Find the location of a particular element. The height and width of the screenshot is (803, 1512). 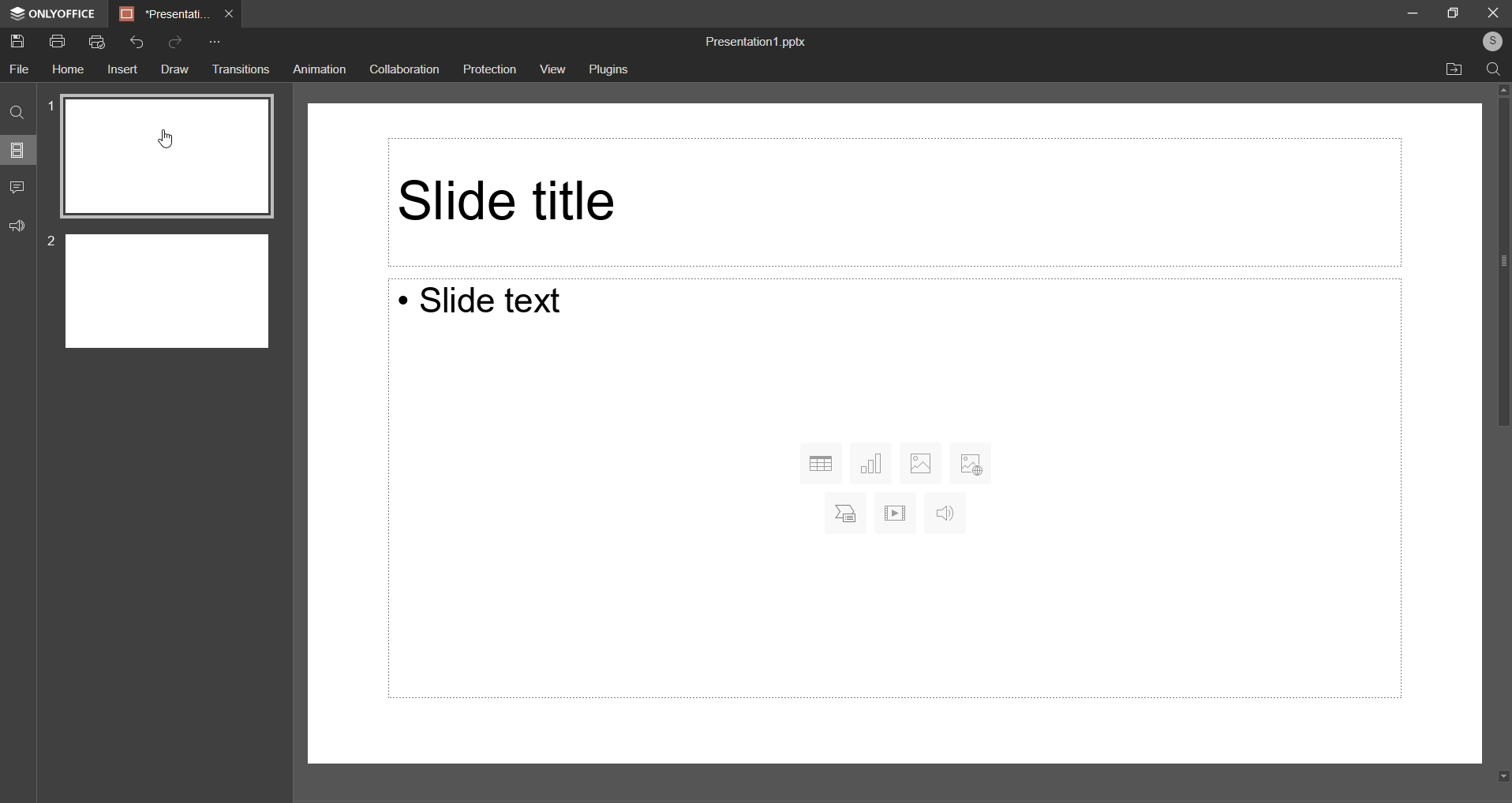

Close Tab is located at coordinates (230, 13).